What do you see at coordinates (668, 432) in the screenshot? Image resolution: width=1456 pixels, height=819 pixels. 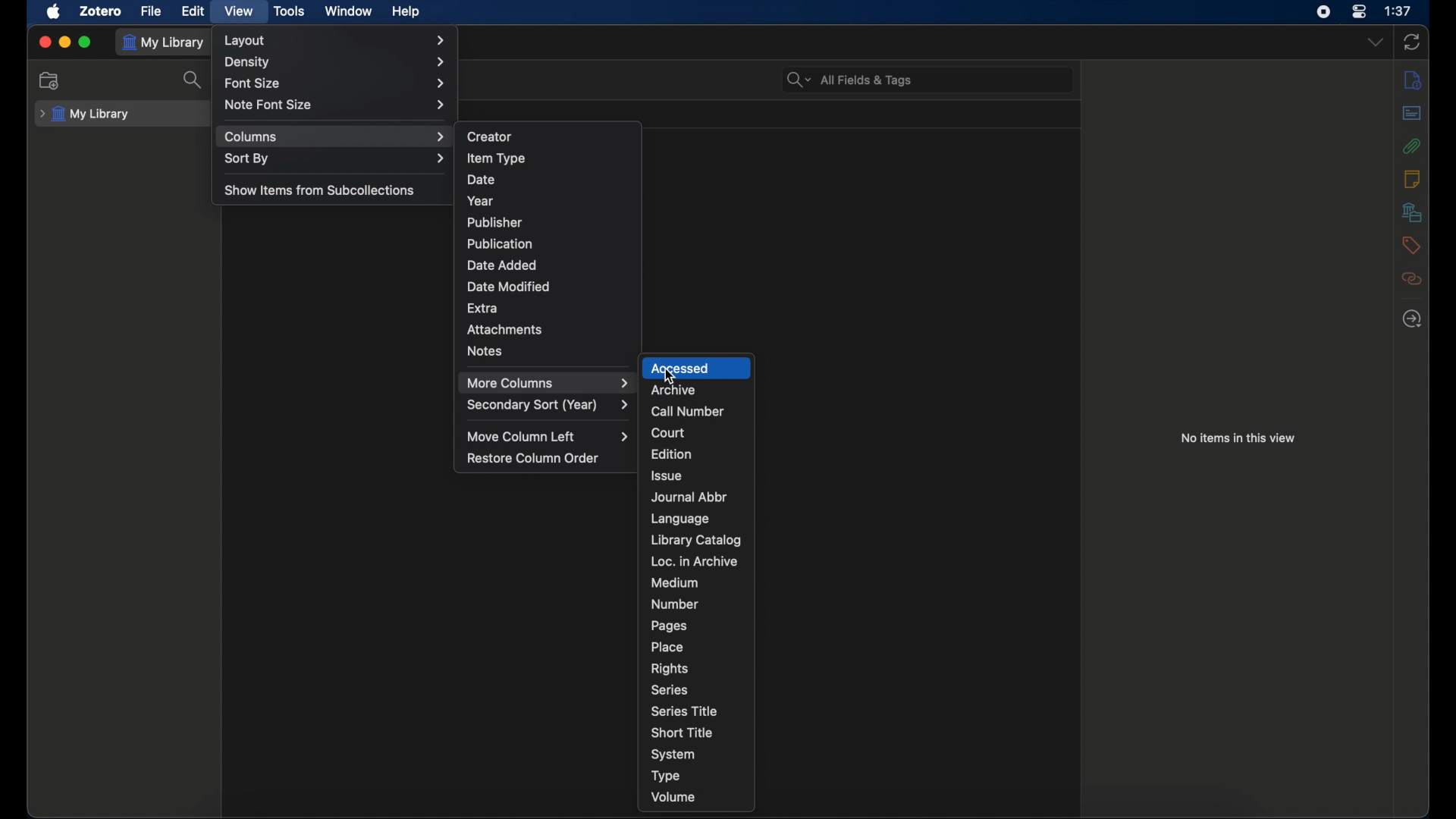 I see `court` at bounding box center [668, 432].